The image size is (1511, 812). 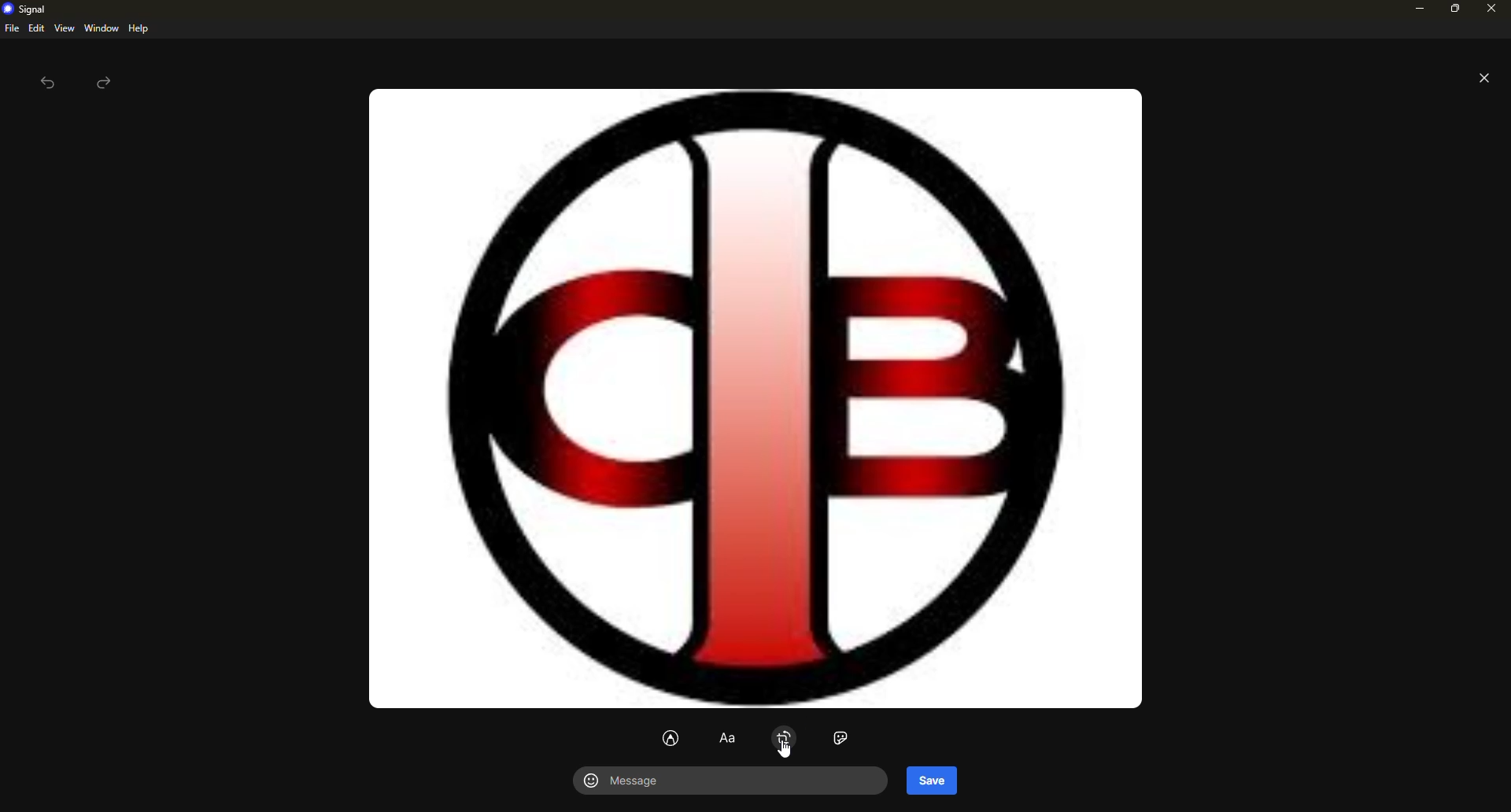 What do you see at coordinates (1453, 12) in the screenshot?
I see `maximize` at bounding box center [1453, 12].